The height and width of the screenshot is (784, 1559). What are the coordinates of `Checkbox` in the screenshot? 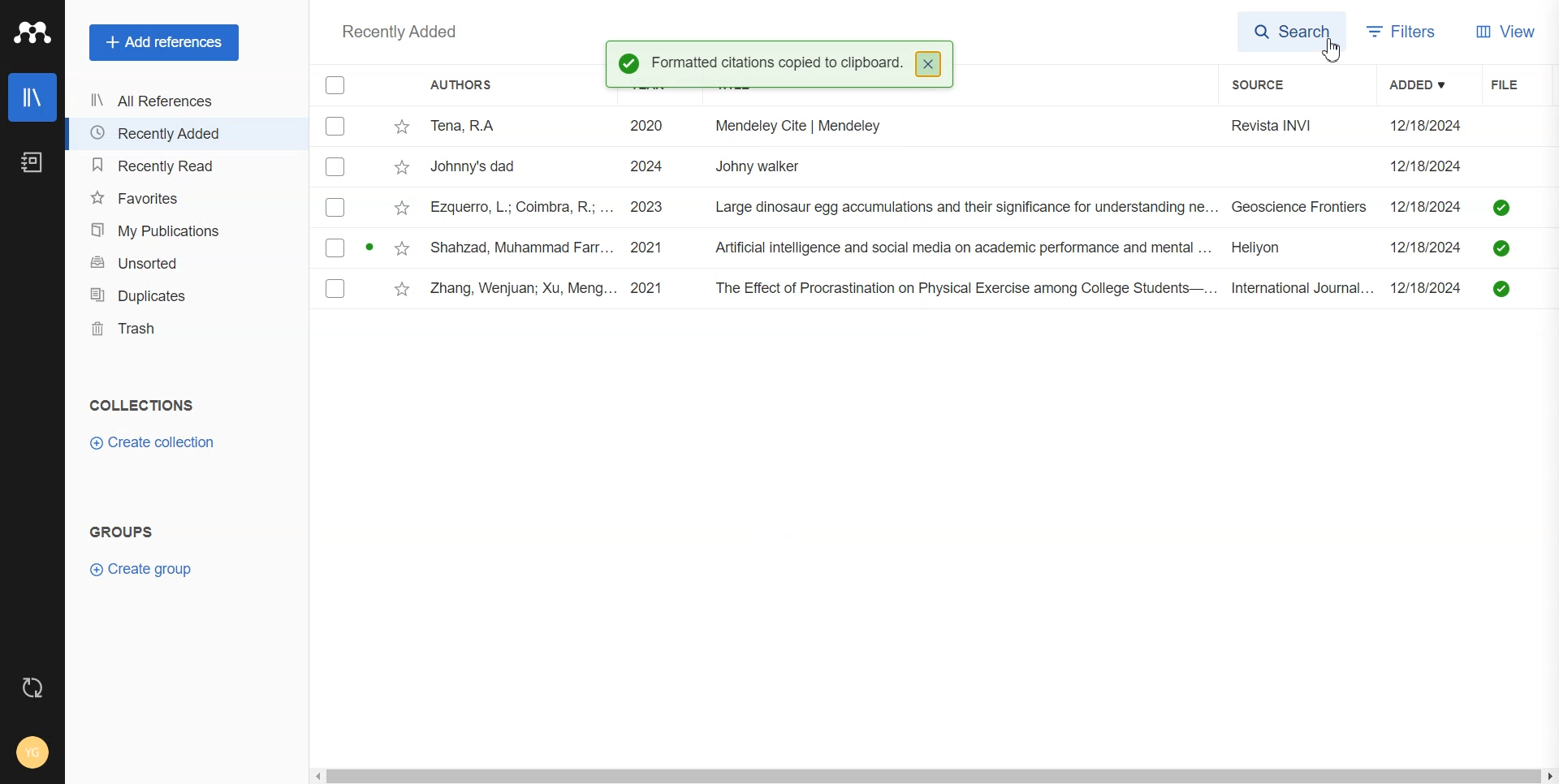 It's located at (335, 248).